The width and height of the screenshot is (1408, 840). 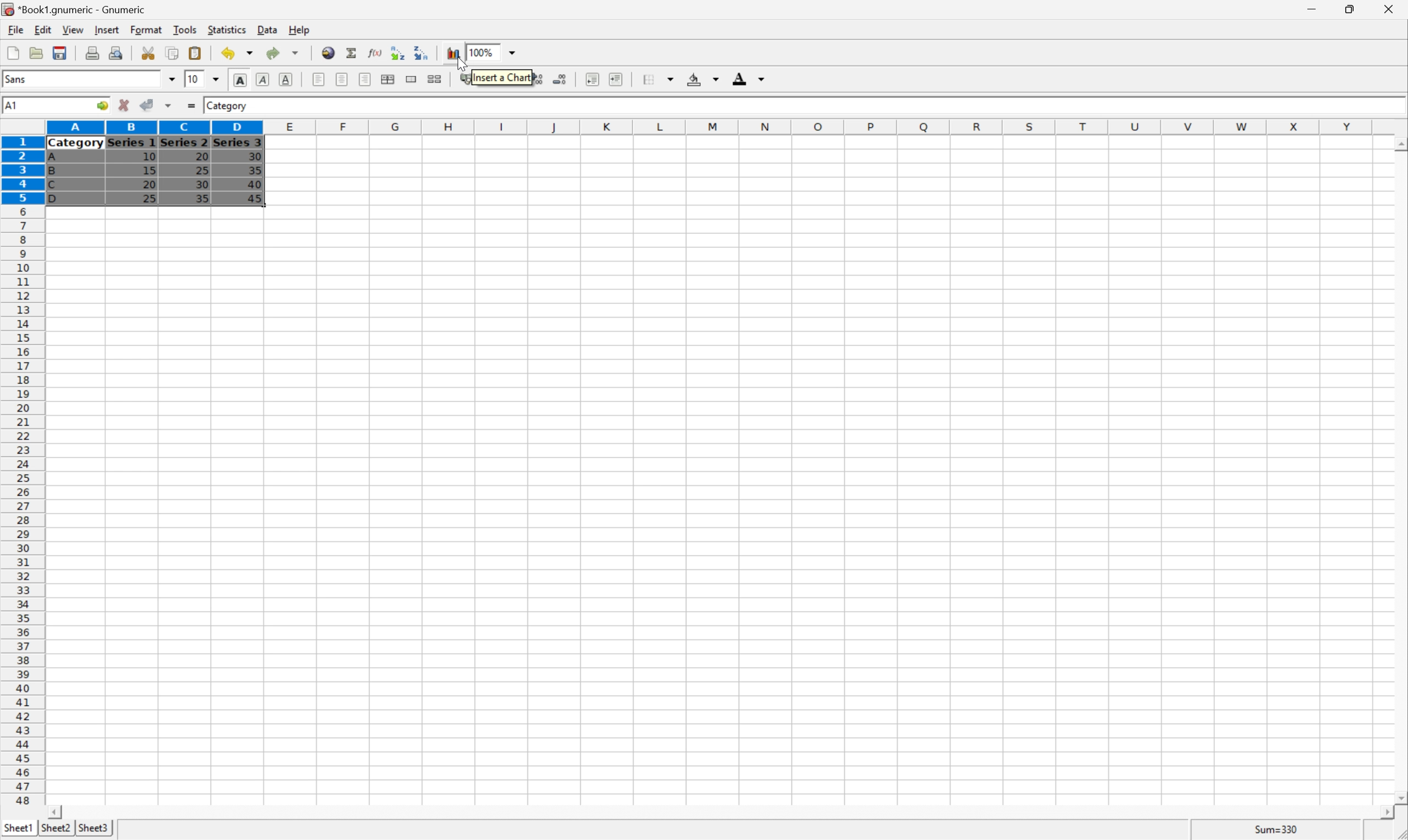 What do you see at coordinates (1399, 799) in the screenshot?
I see `Scroll Down` at bounding box center [1399, 799].